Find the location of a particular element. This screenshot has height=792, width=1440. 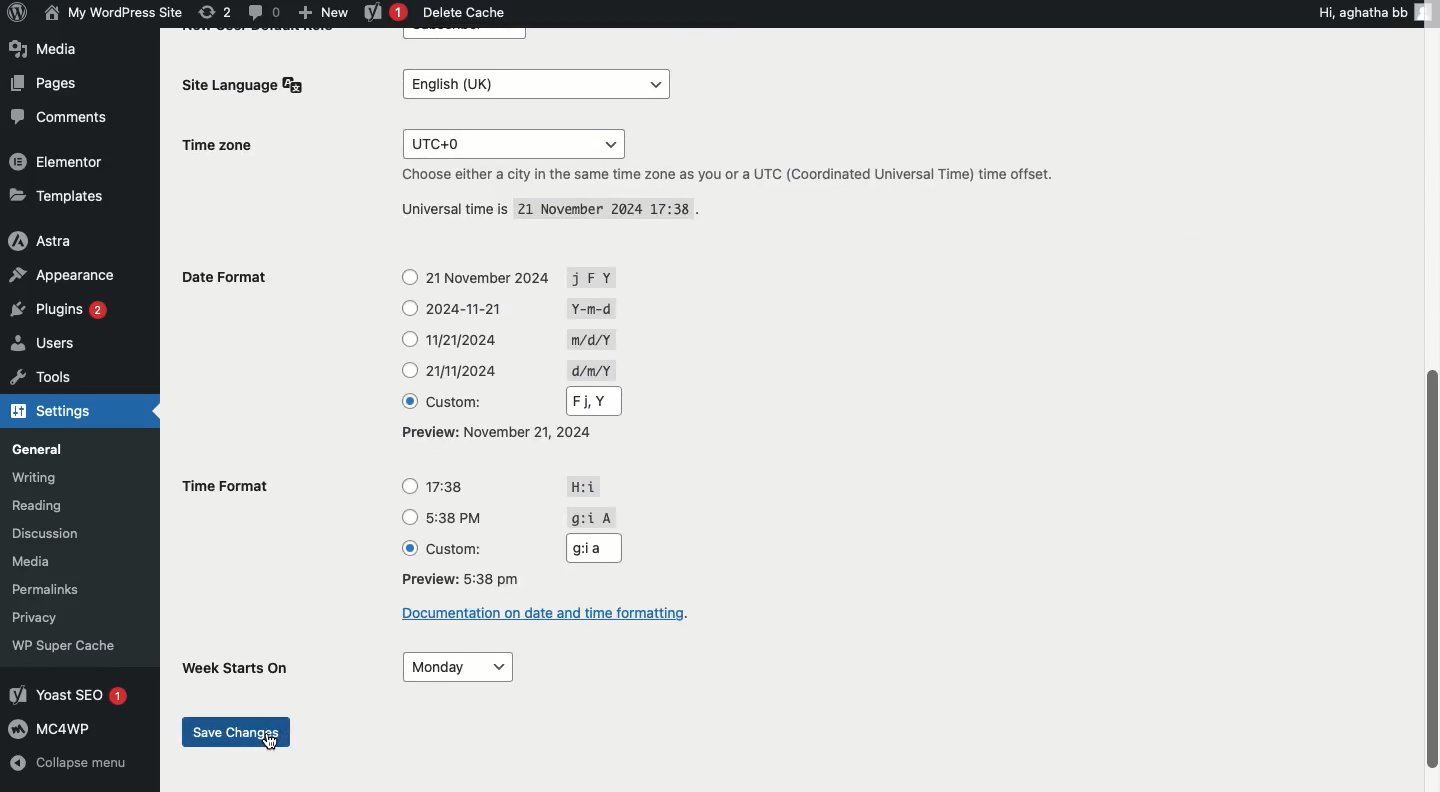

user icon is located at coordinates (1428, 11).